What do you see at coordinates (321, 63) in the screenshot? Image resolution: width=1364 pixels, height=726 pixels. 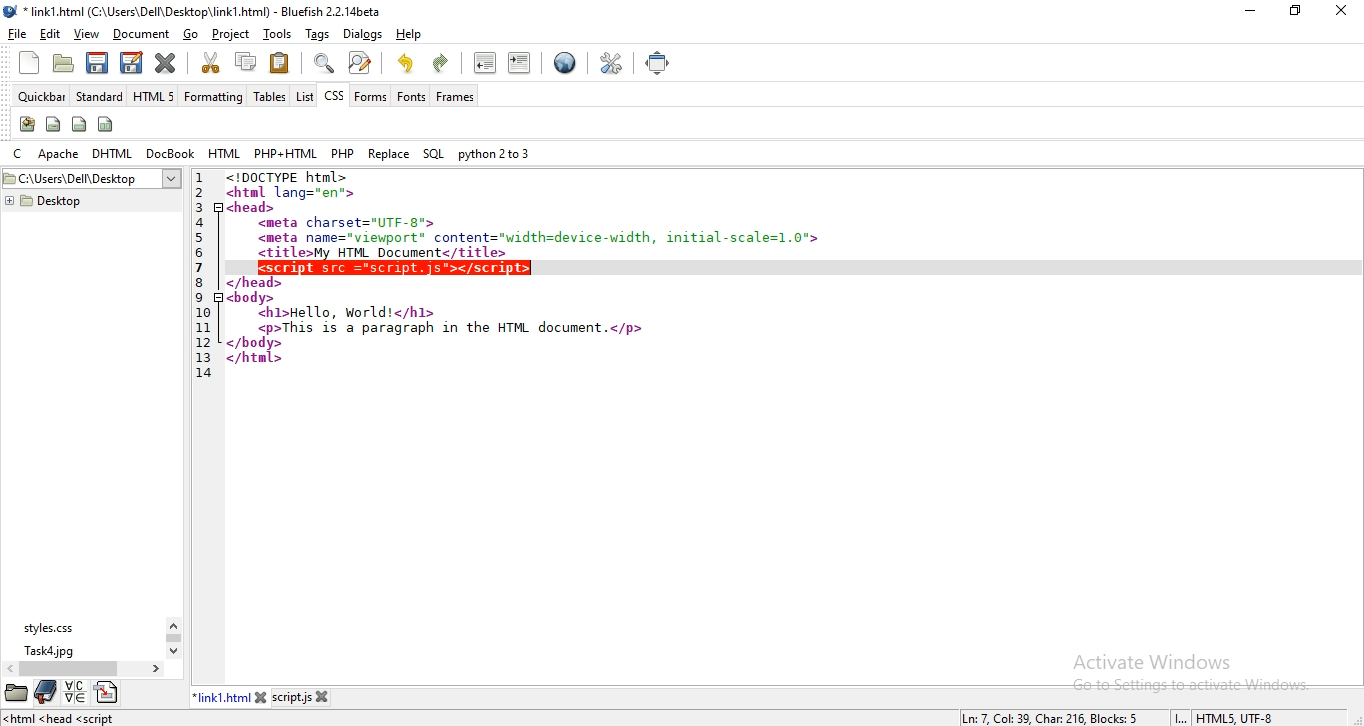 I see `show find bar` at bounding box center [321, 63].